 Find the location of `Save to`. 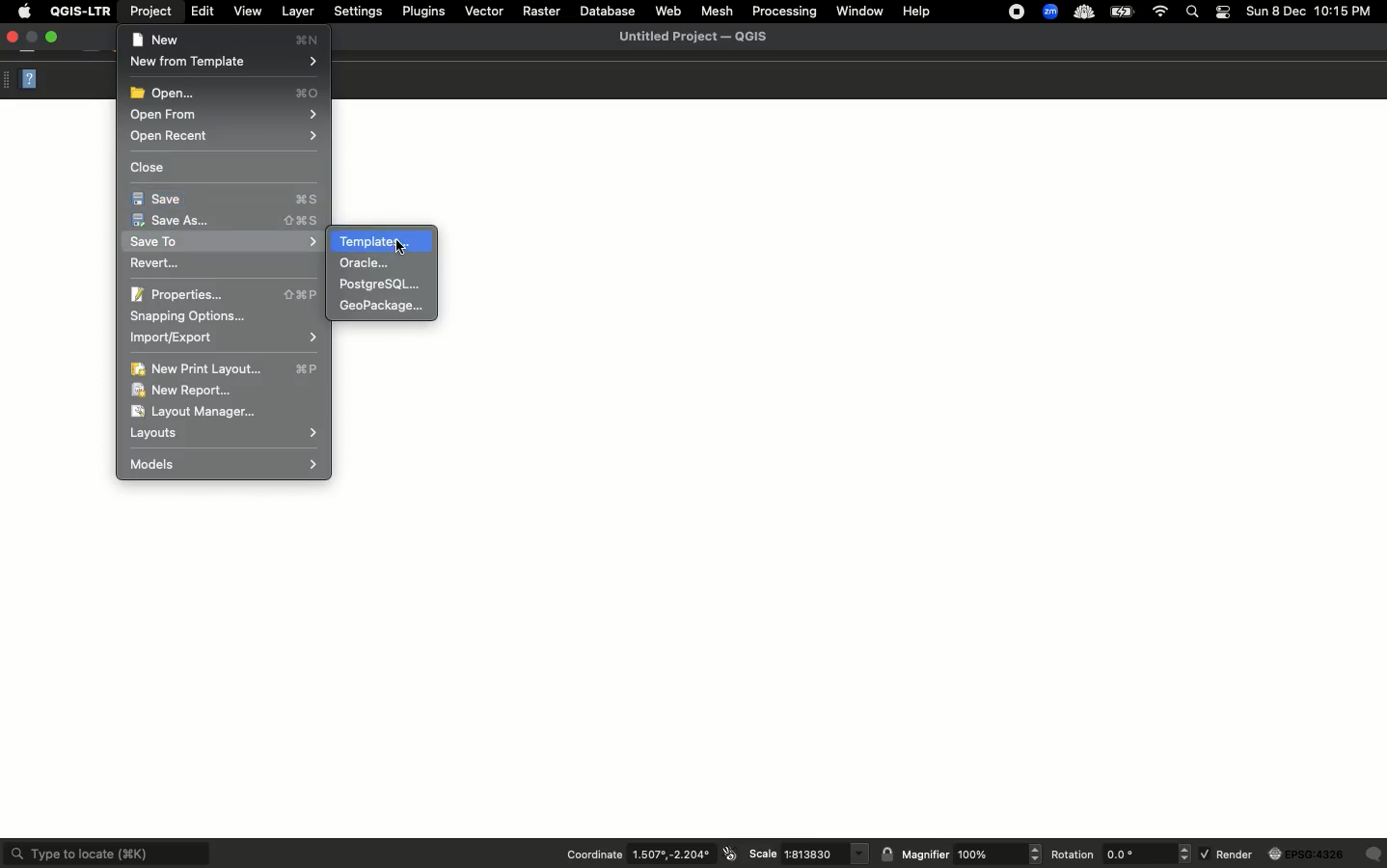

Save to is located at coordinates (224, 243).